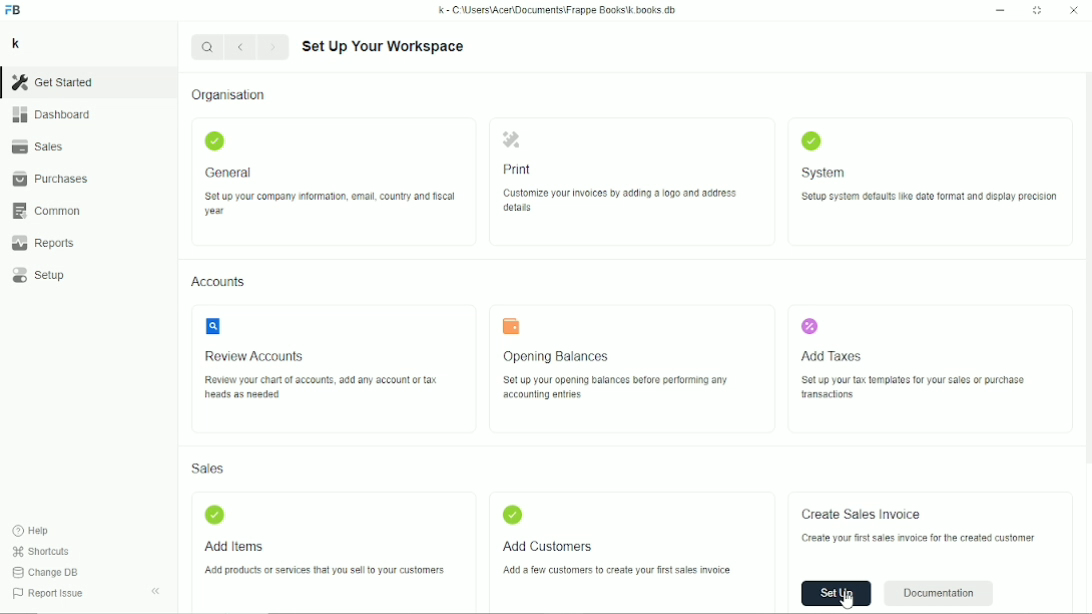 This screenshot has width=1092, height=614. What do you see at coordinates (217, 282) in the screenshot?
I see `Accounts` at bounding box center [217, 282].